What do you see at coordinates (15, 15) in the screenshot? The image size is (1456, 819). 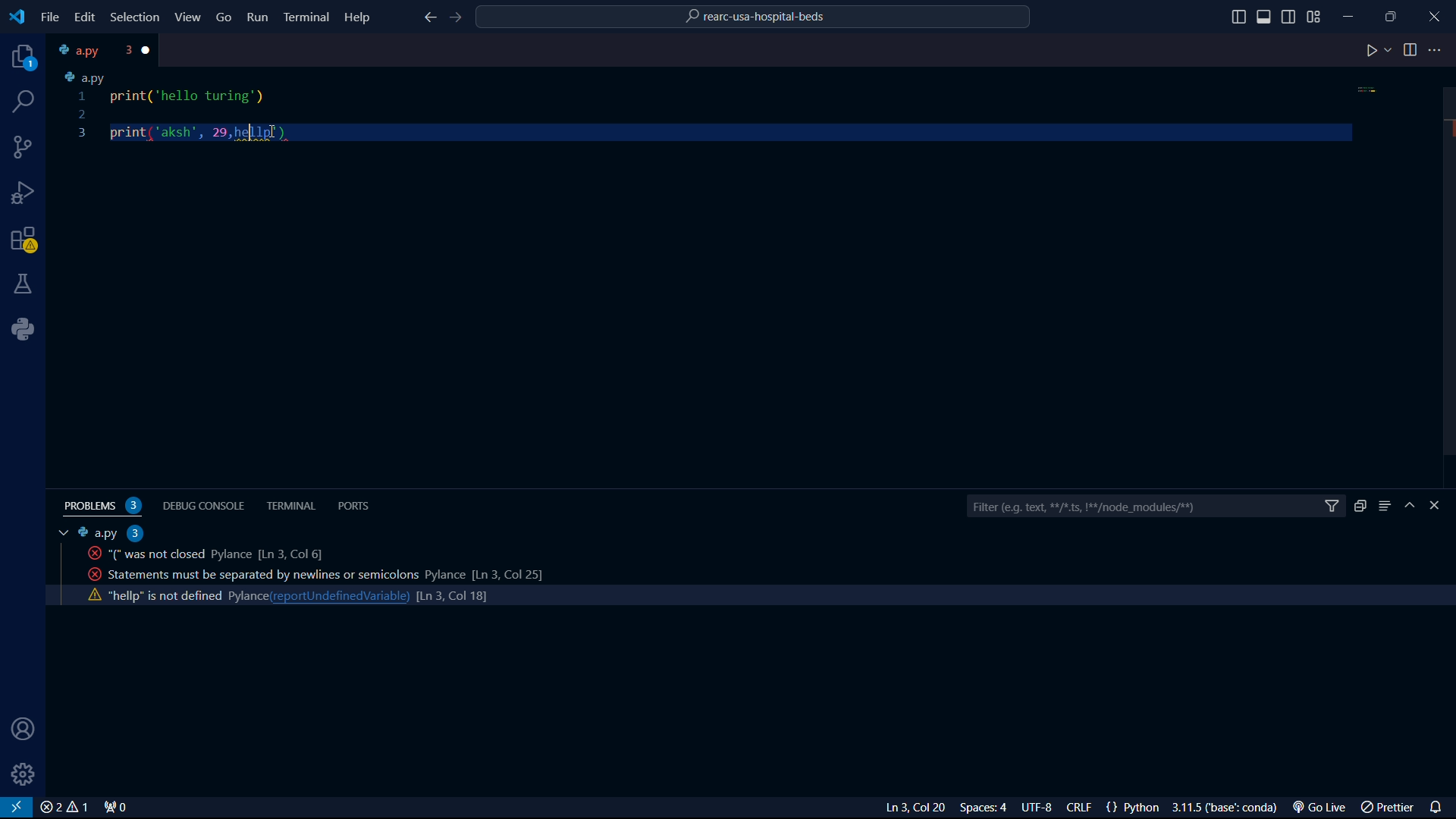 I see `VS Code logo` at bounding box center [15, 15].